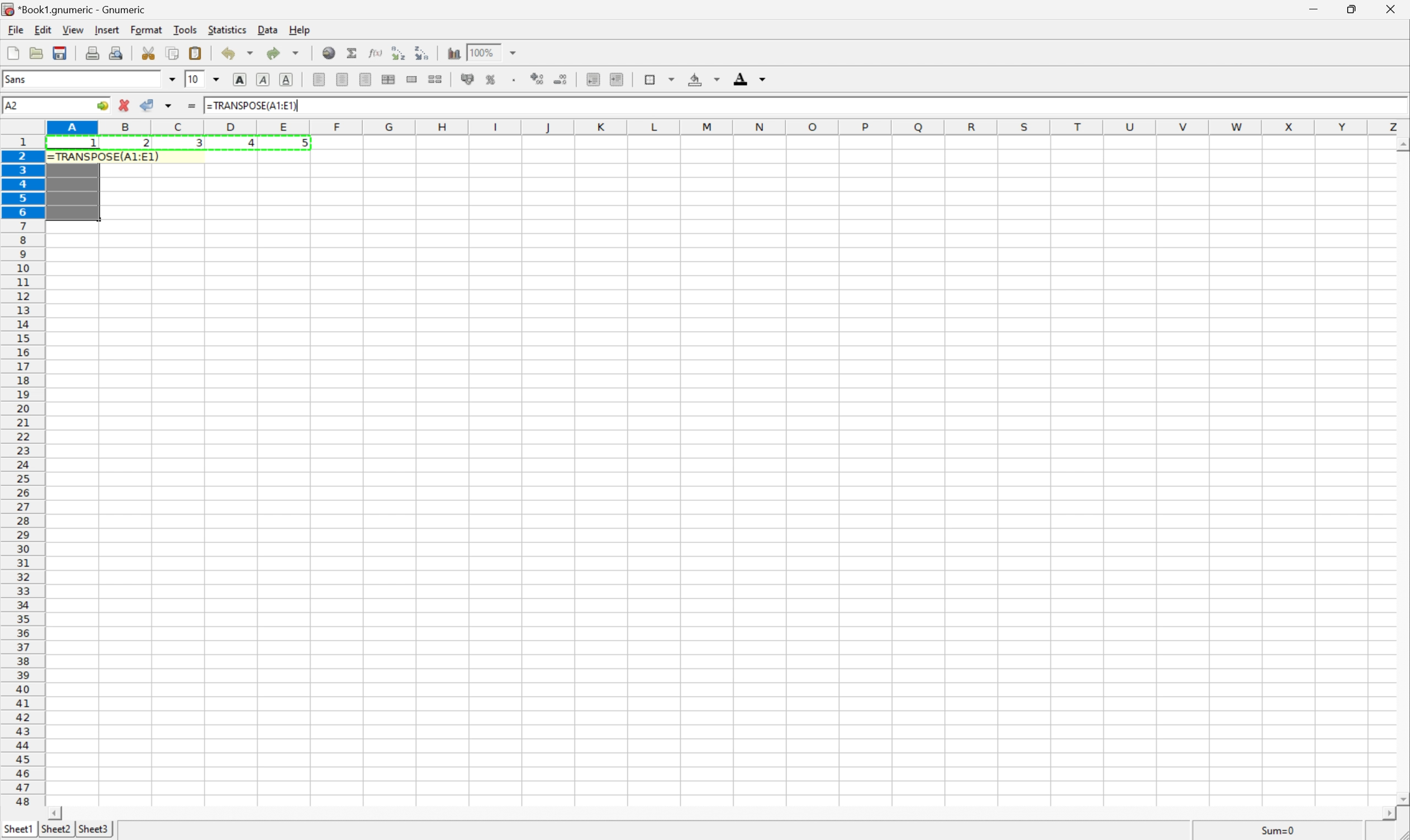 This screenshot has height=840, width=1410. Describe the element at coordinates (191, 106) in the screenshot. I see `enter formula` at that location.